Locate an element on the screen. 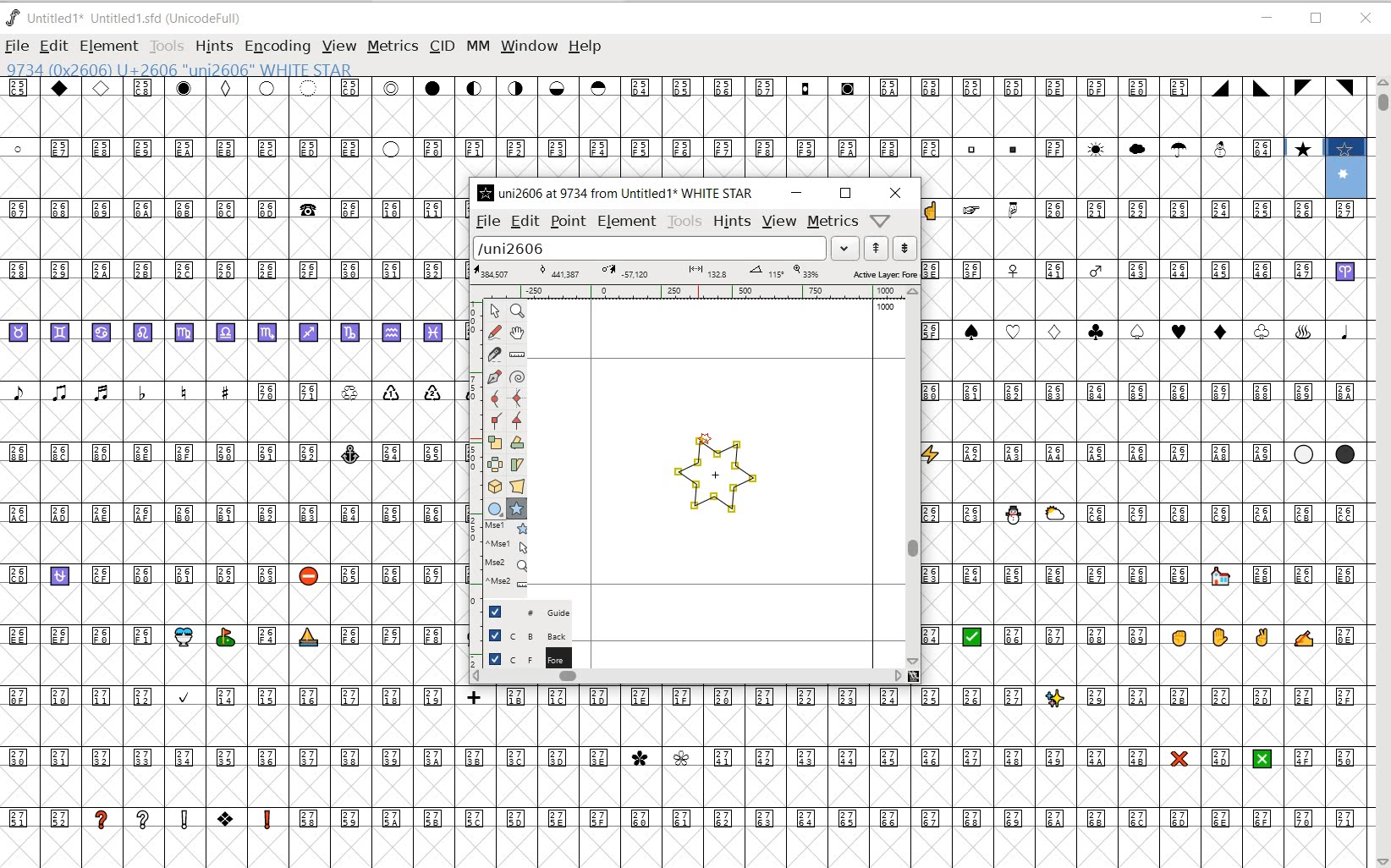 The image size is (1391, 868). CUT SPLINES INTO TWO is located at coordinates (495, 354).